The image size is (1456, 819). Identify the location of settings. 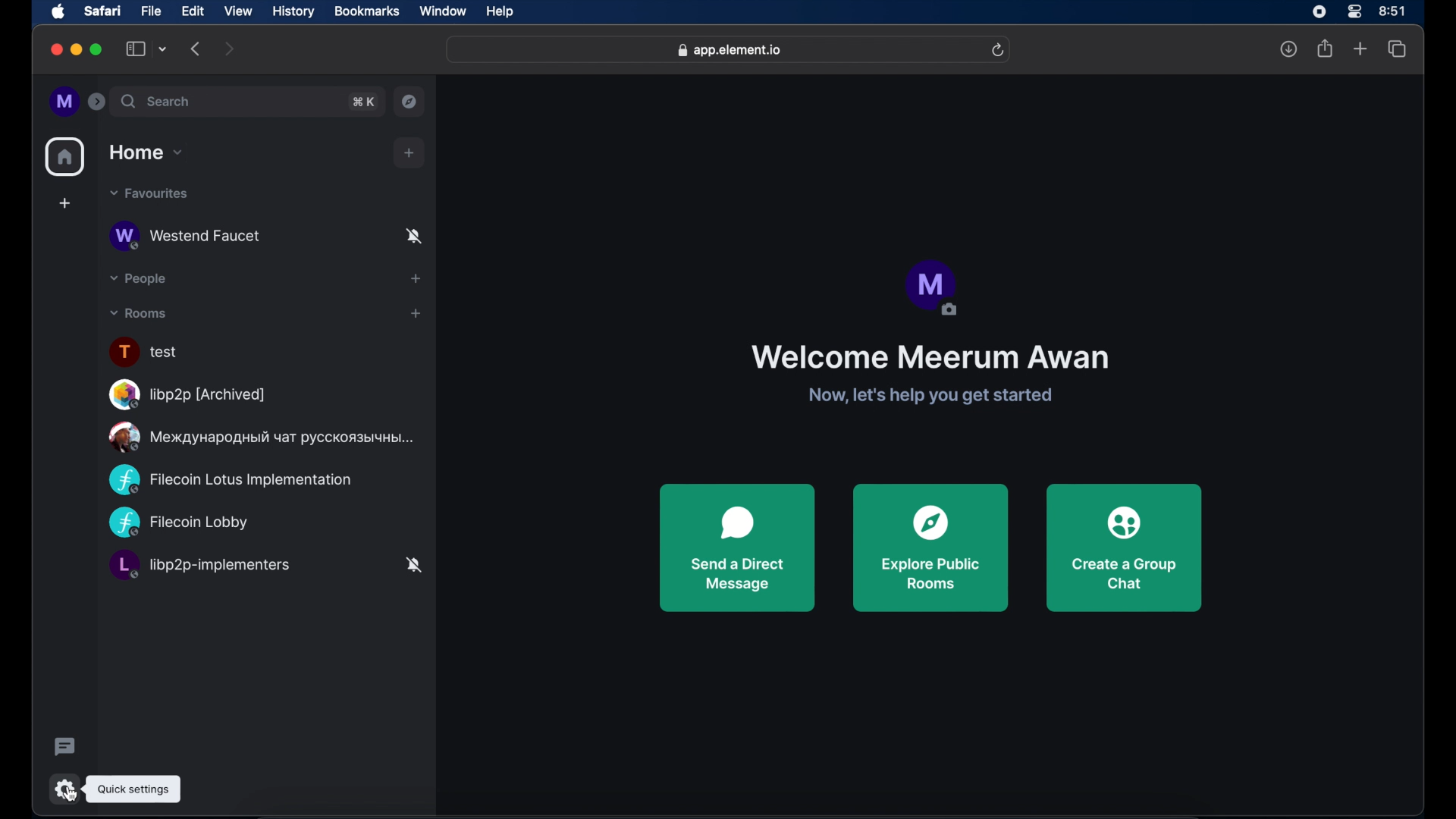
(64, 789).